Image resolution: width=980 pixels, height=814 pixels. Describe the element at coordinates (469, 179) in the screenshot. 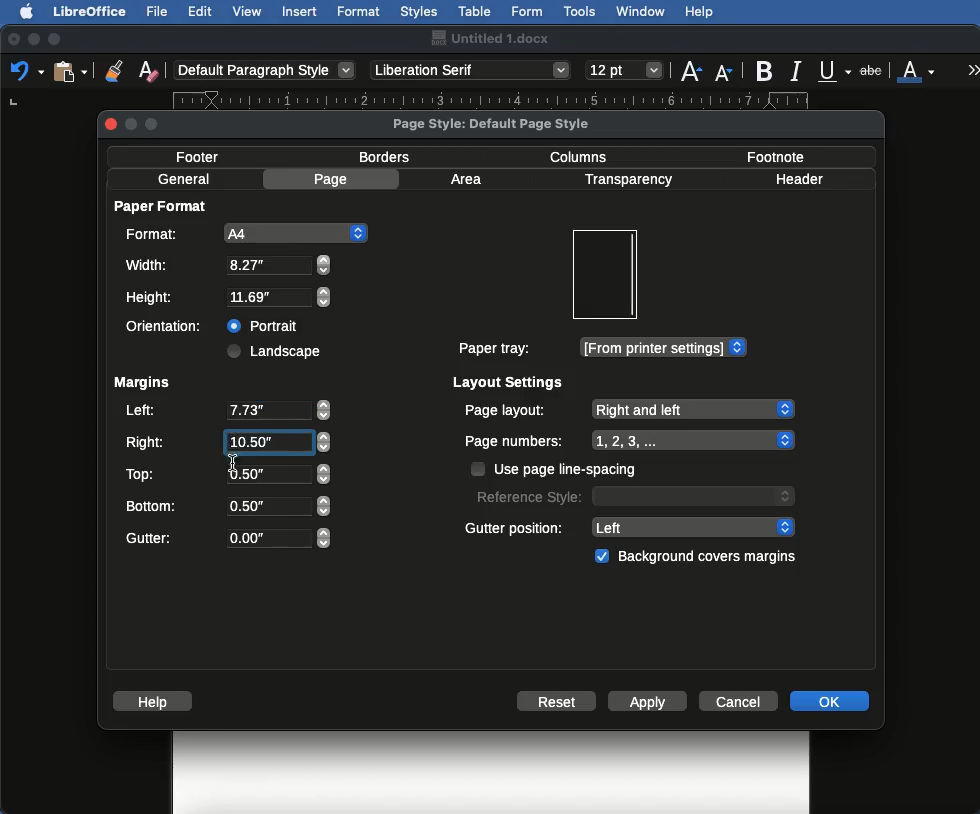

I see `Area` at that location.